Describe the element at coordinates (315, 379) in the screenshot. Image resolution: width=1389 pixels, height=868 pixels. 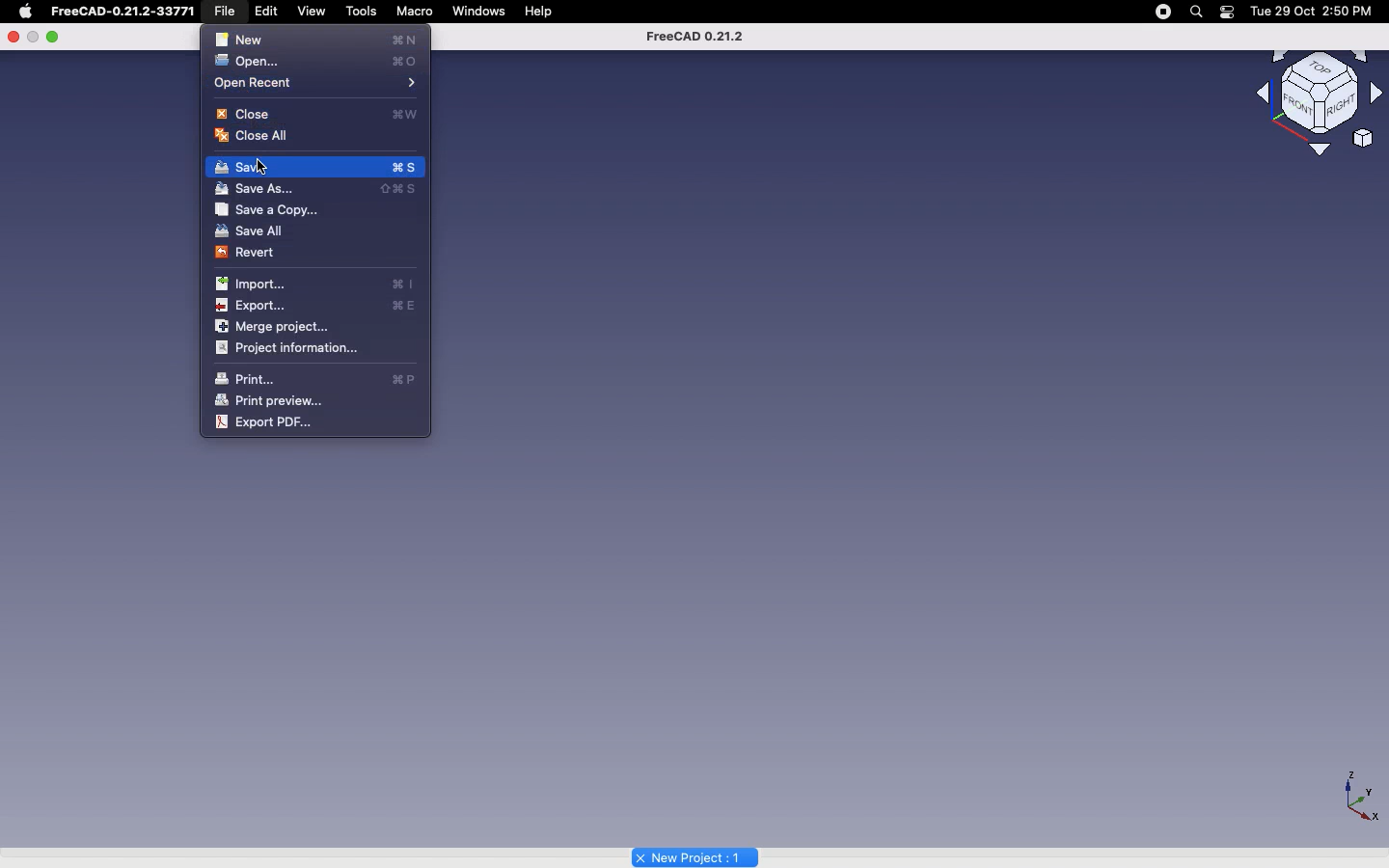
I see `Print` at that location.